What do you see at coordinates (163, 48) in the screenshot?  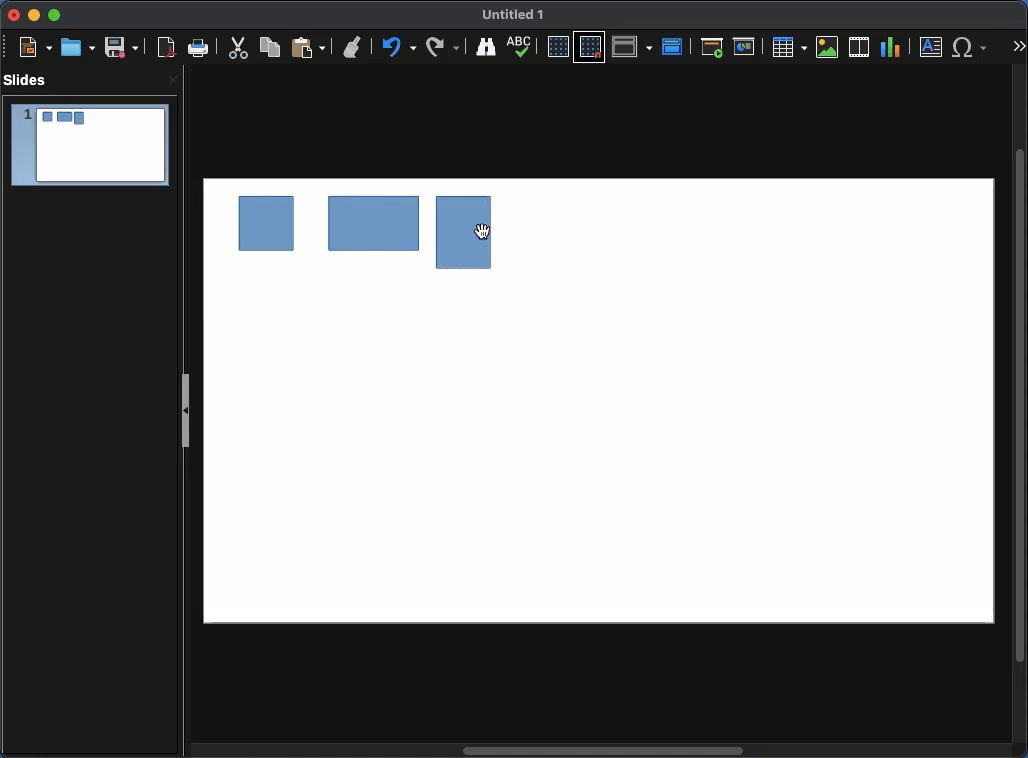 I see `Export as PDF` at bounding box center [163, 48].